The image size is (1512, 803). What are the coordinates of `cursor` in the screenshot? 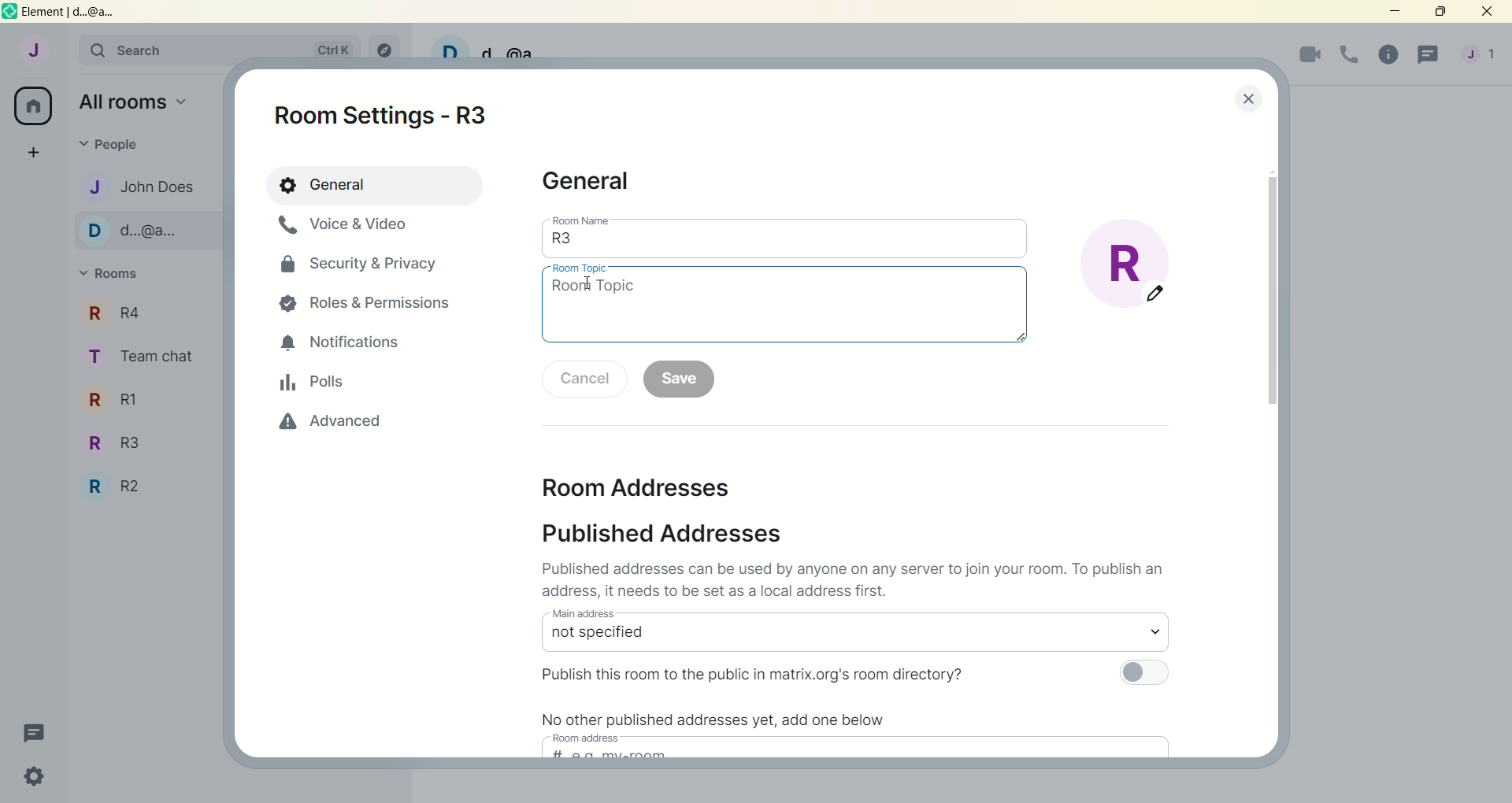 It's located at (589, 285).